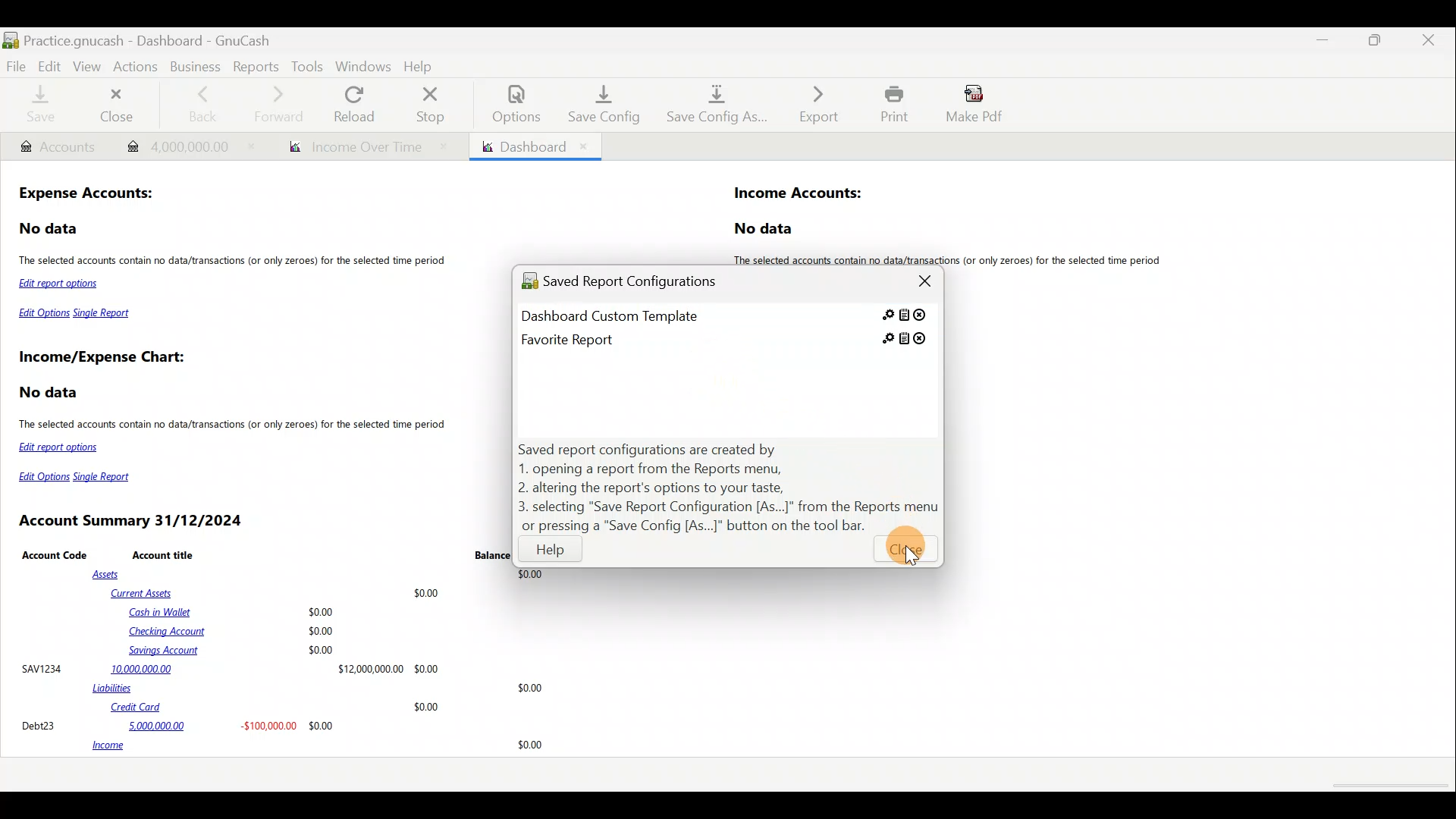 The width and height of the screenshot is (1456, 819). What do you see at coordinates (725, 339) in the screenshot?
I see `Saved report 2` at bounding box center [725, 339].